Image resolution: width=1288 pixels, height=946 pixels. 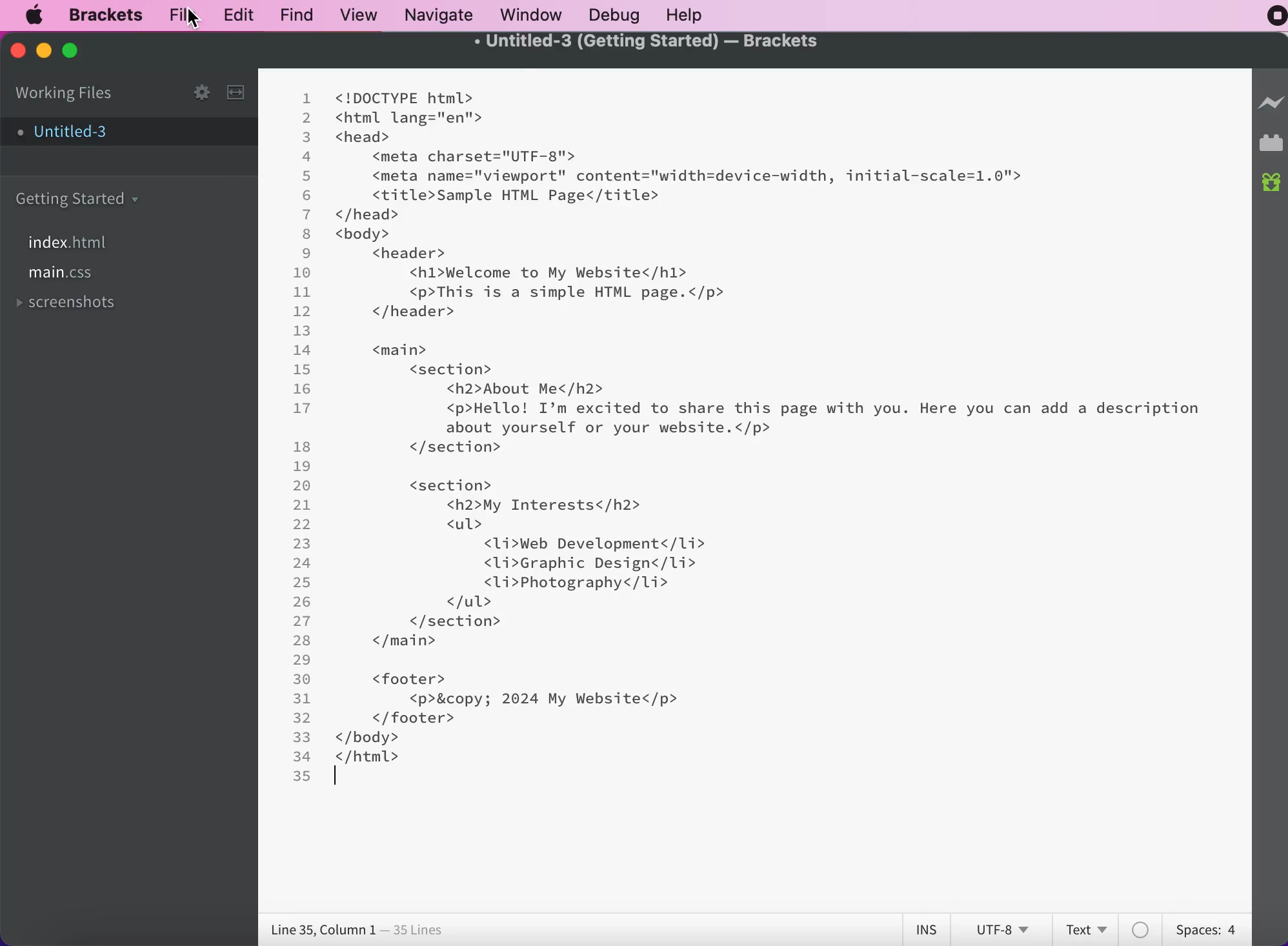 I want to click on working files, so click(x=64, y=94).